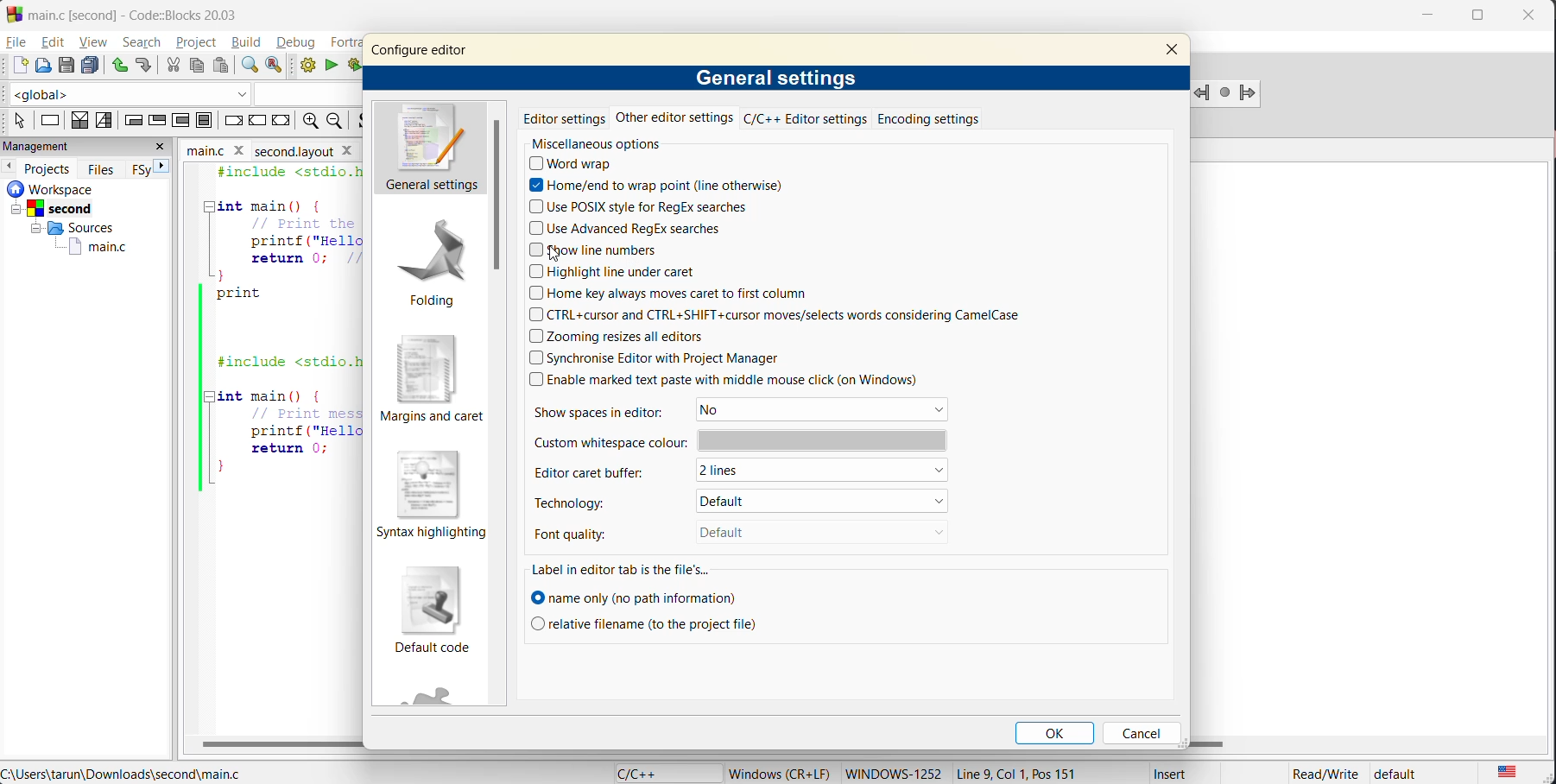 The width and height of the screenshot is (1556, 784). Describe the element at coordinates (196, 43) in the screenshot. I see `project` at that location.